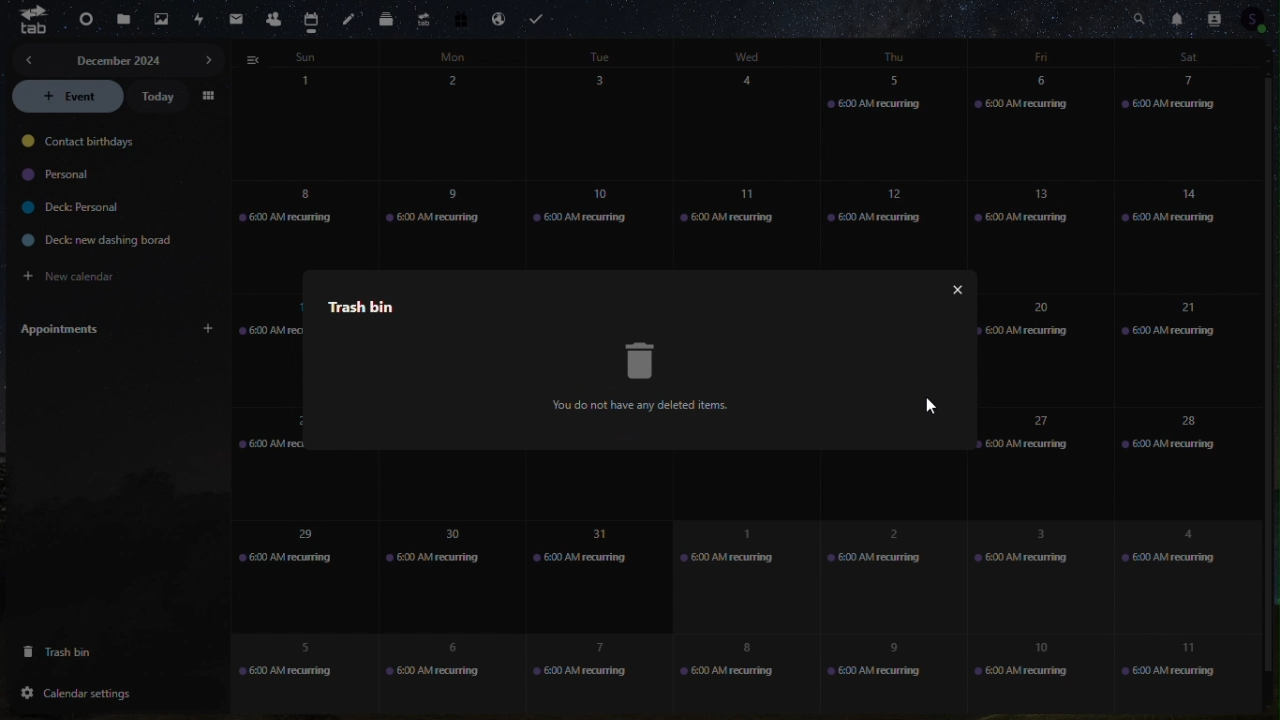  I want to click on close, so click(951, 271).